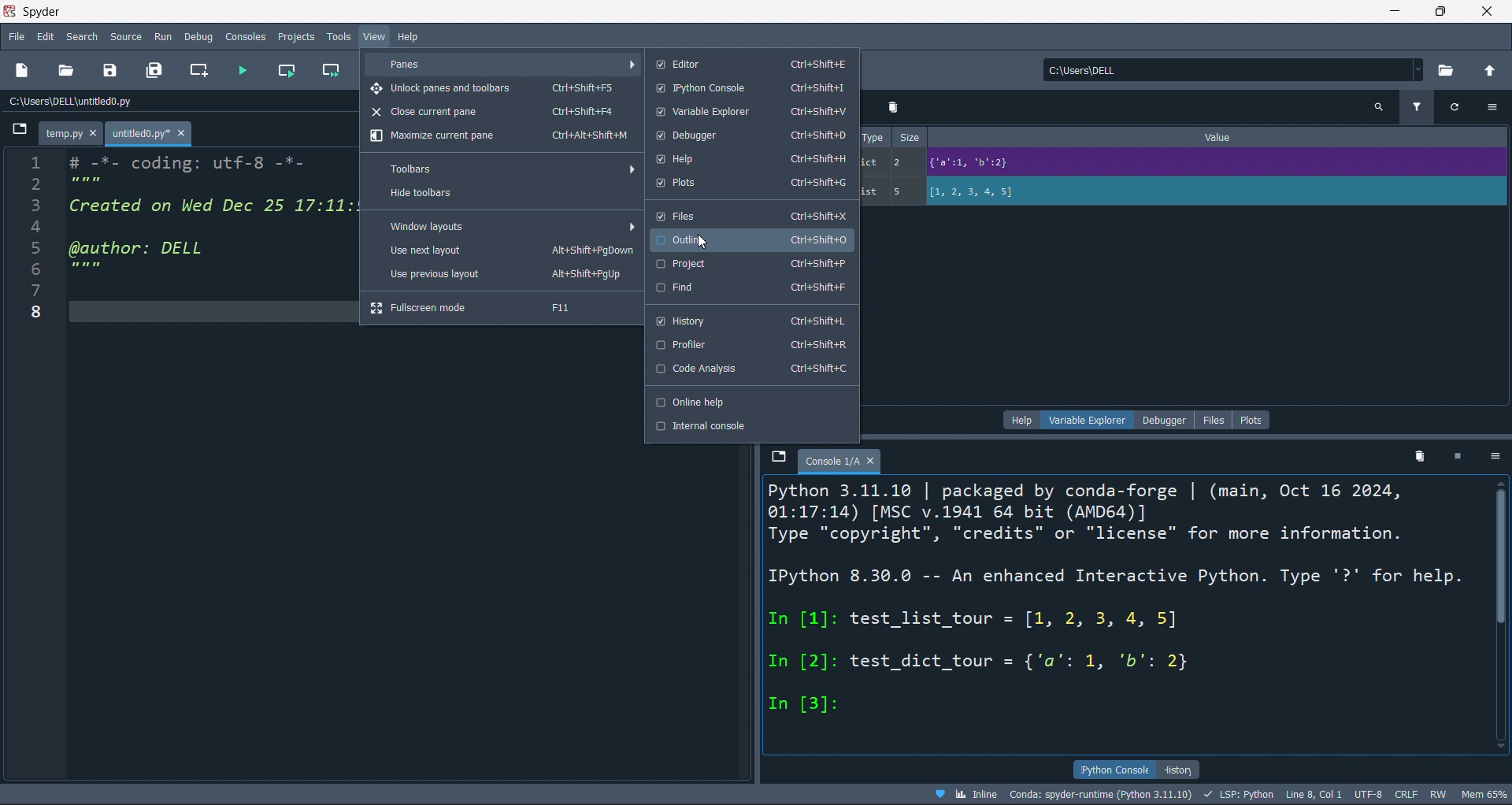 Image resolution: width=1512 pixels, height=805 pixels. What do you see at coordinates (1210, 418) in the screenshot?
I see `file` at bounding box center [1210, 418].